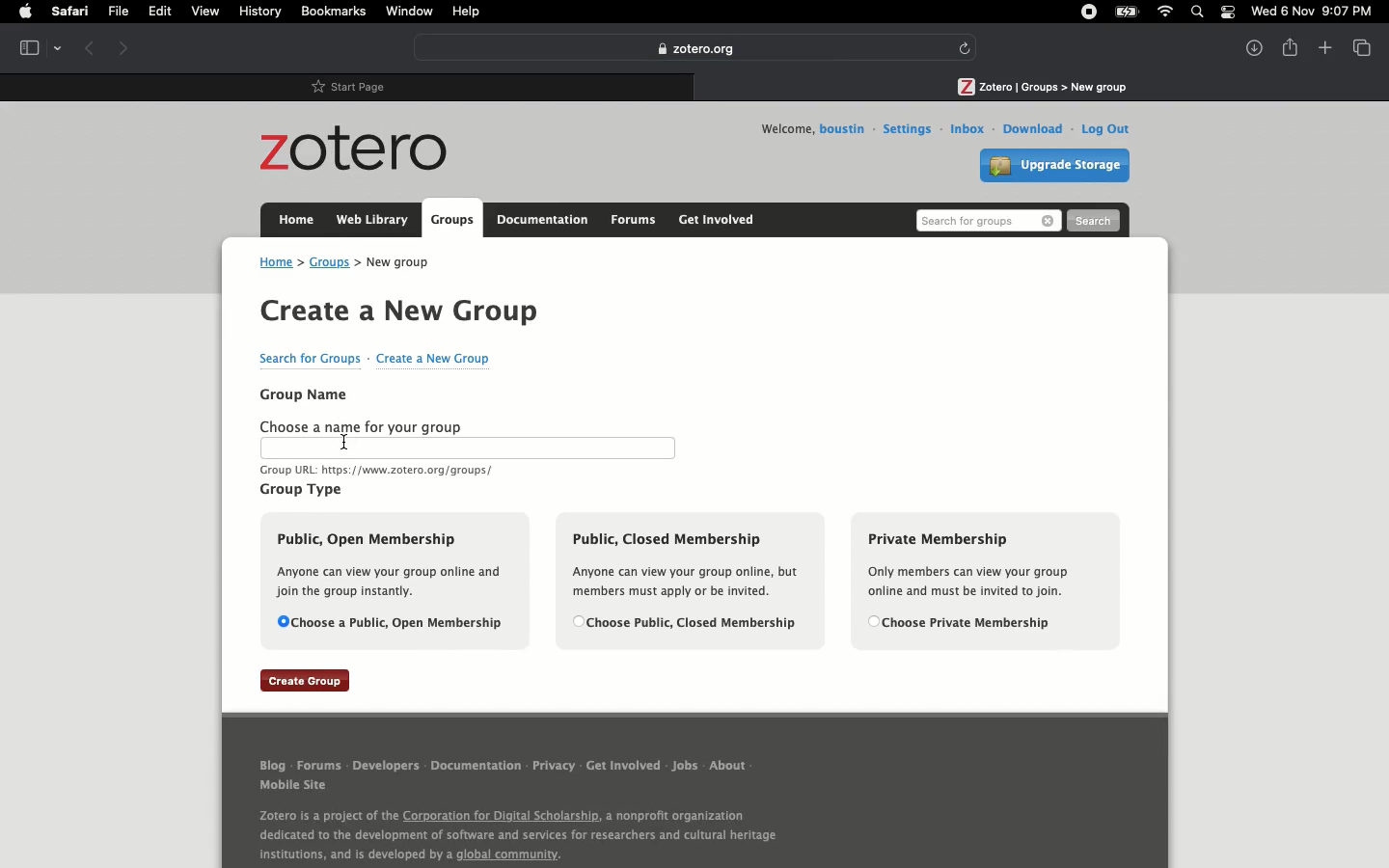 The height and width of the screenshot is (868, 1389). What do you see at coordinates (164, 14) in the screenshot?
I see `Edit` at bounding box center [164, 14].